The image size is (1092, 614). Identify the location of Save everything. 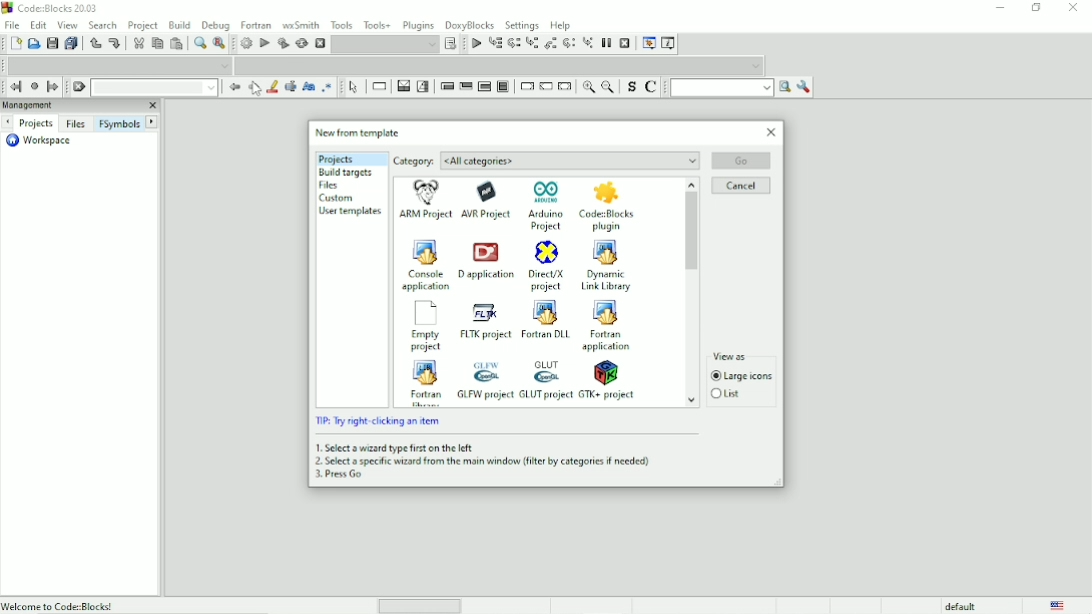
(71, 43).